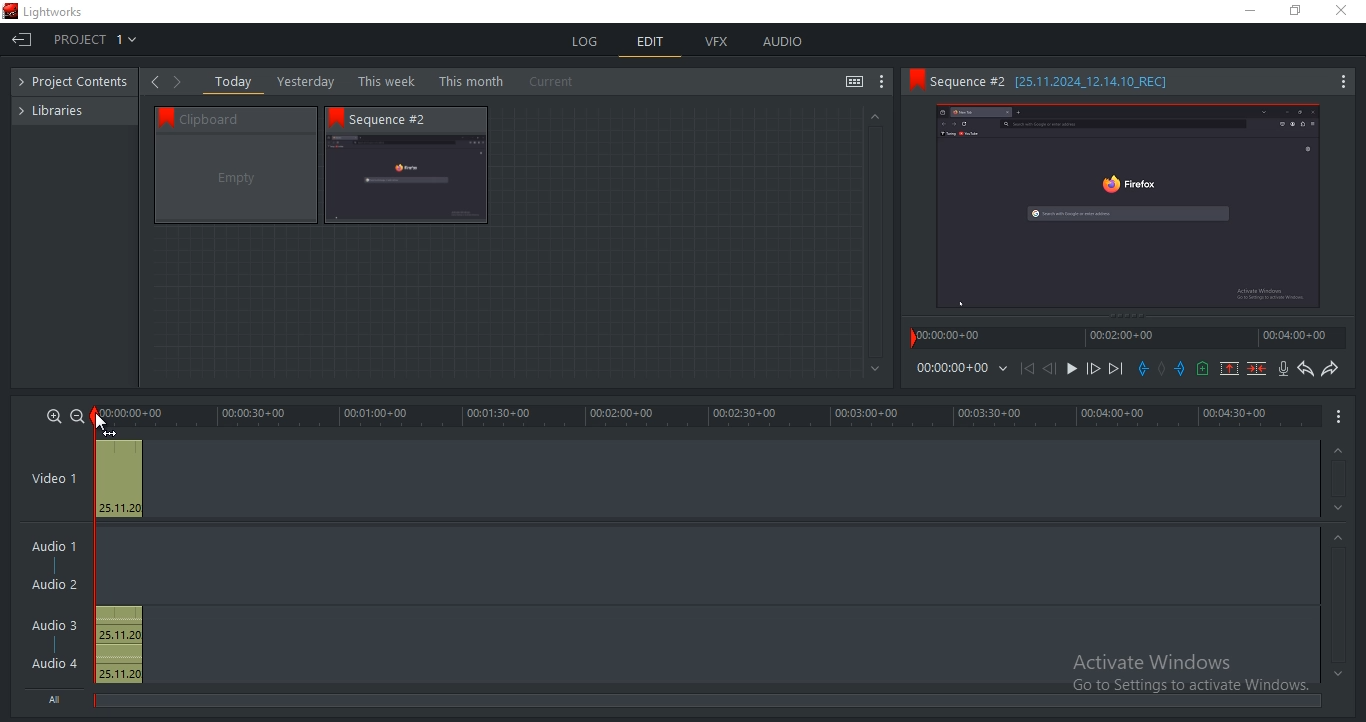 The width and height of the screenshot is (1366, 722). Describe the element at coordinates (1251, 11) in the screenshot. I see `minimize` at that location.